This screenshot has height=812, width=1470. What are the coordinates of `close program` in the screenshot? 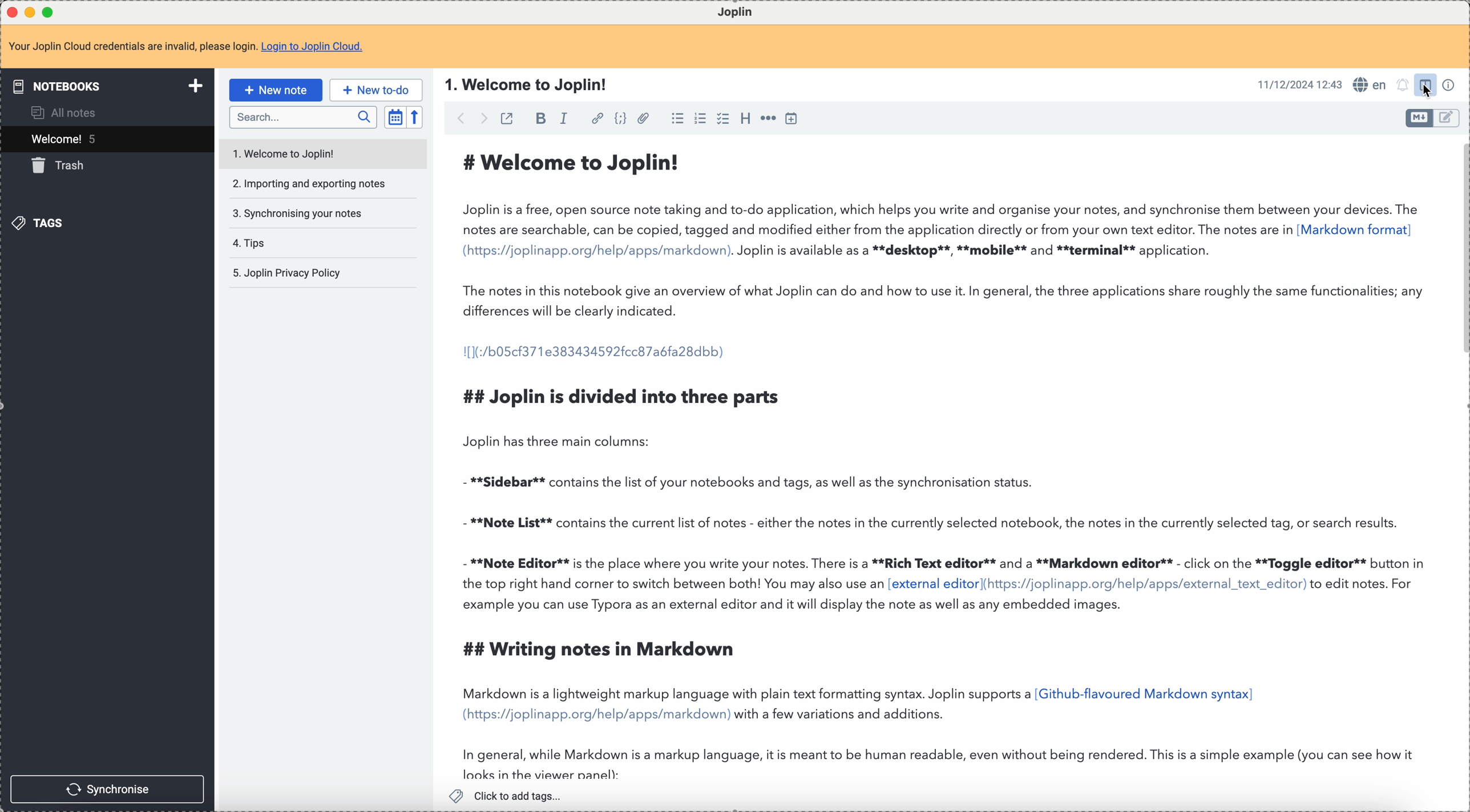 It's located at (10, 11).